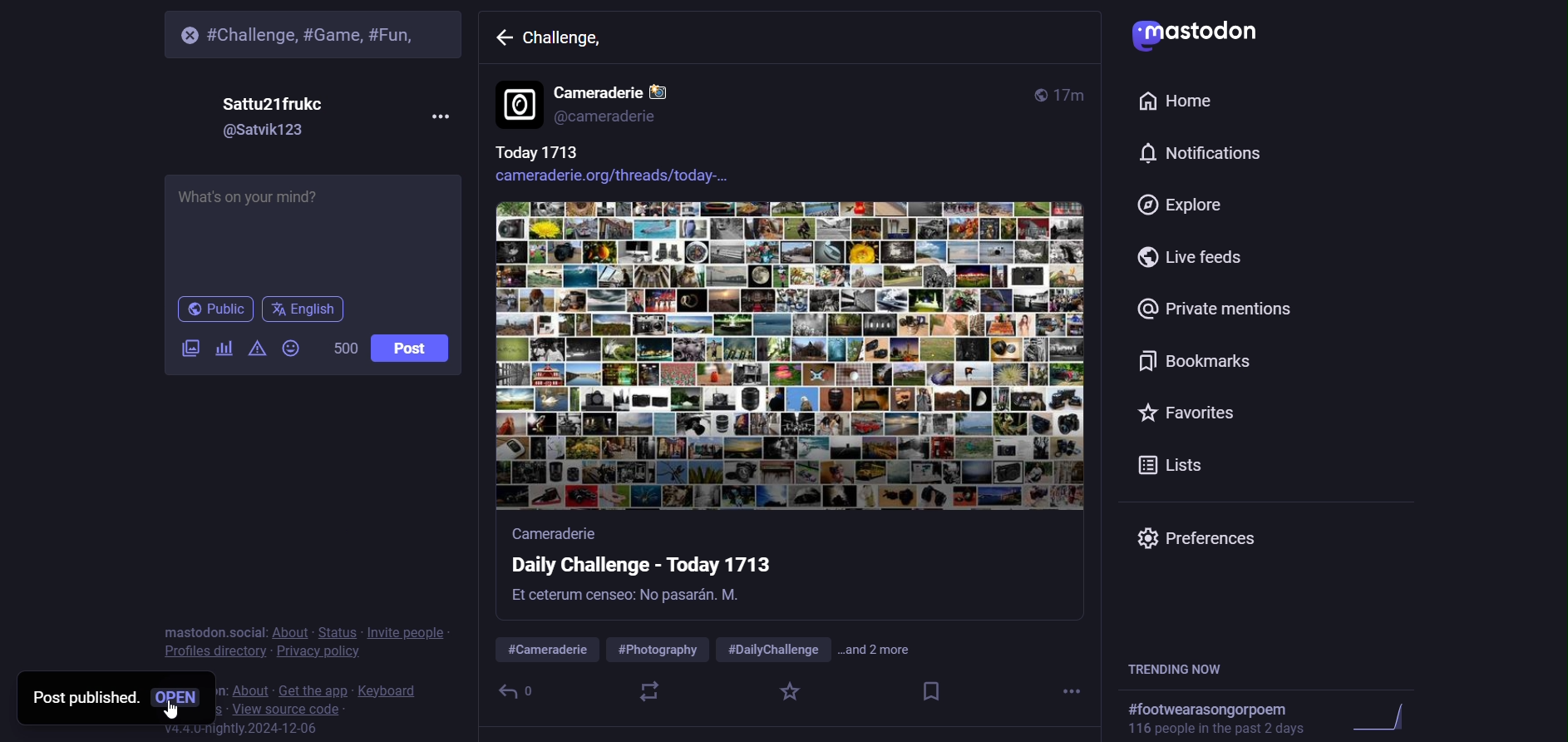 Image resolution: width=1568 pixels, height=742 pixels. I want to click on content warning, so click(254, 352).